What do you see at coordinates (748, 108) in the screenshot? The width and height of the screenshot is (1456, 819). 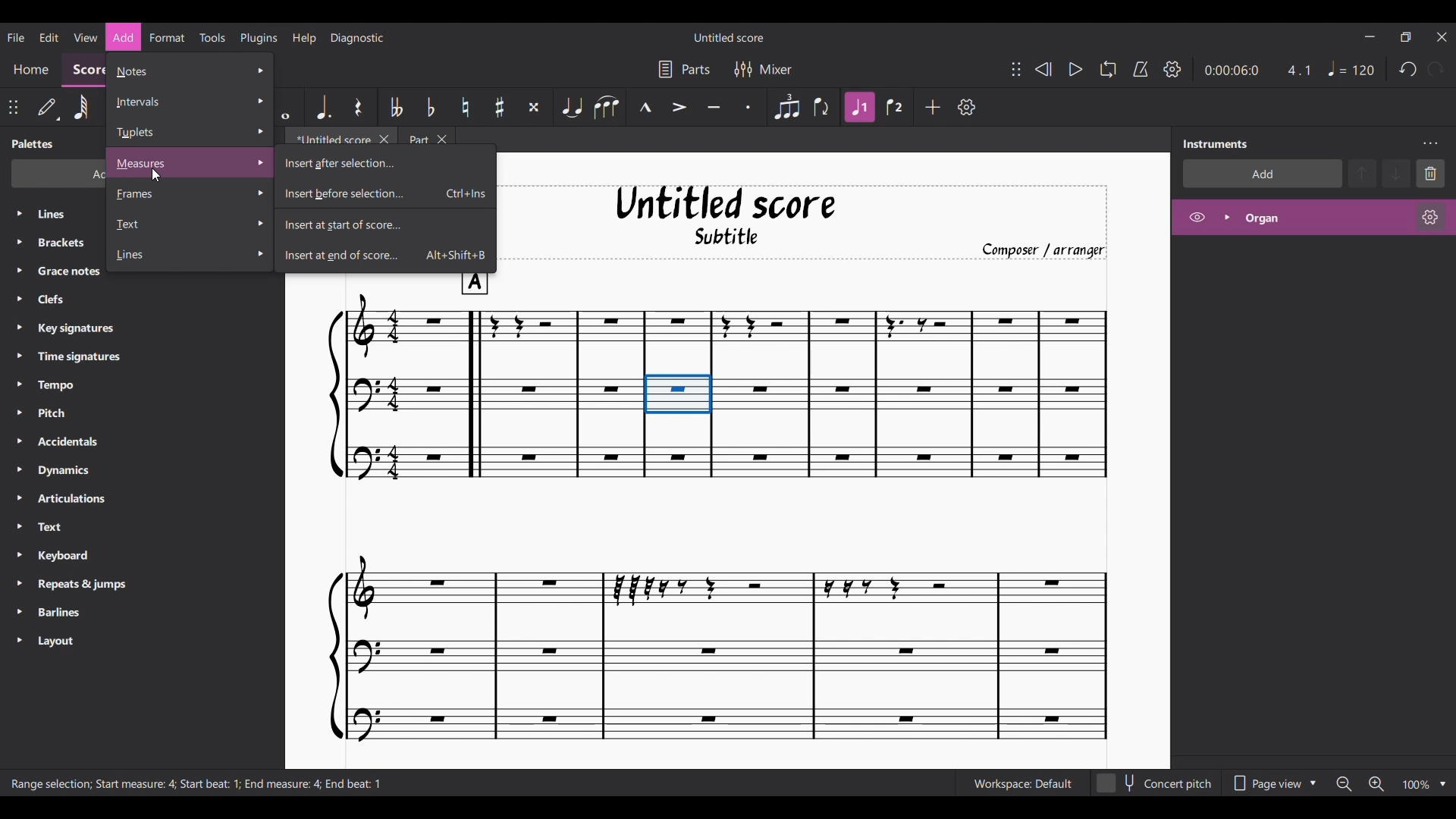 I see `Staccato` at bounding box center [748, 108].